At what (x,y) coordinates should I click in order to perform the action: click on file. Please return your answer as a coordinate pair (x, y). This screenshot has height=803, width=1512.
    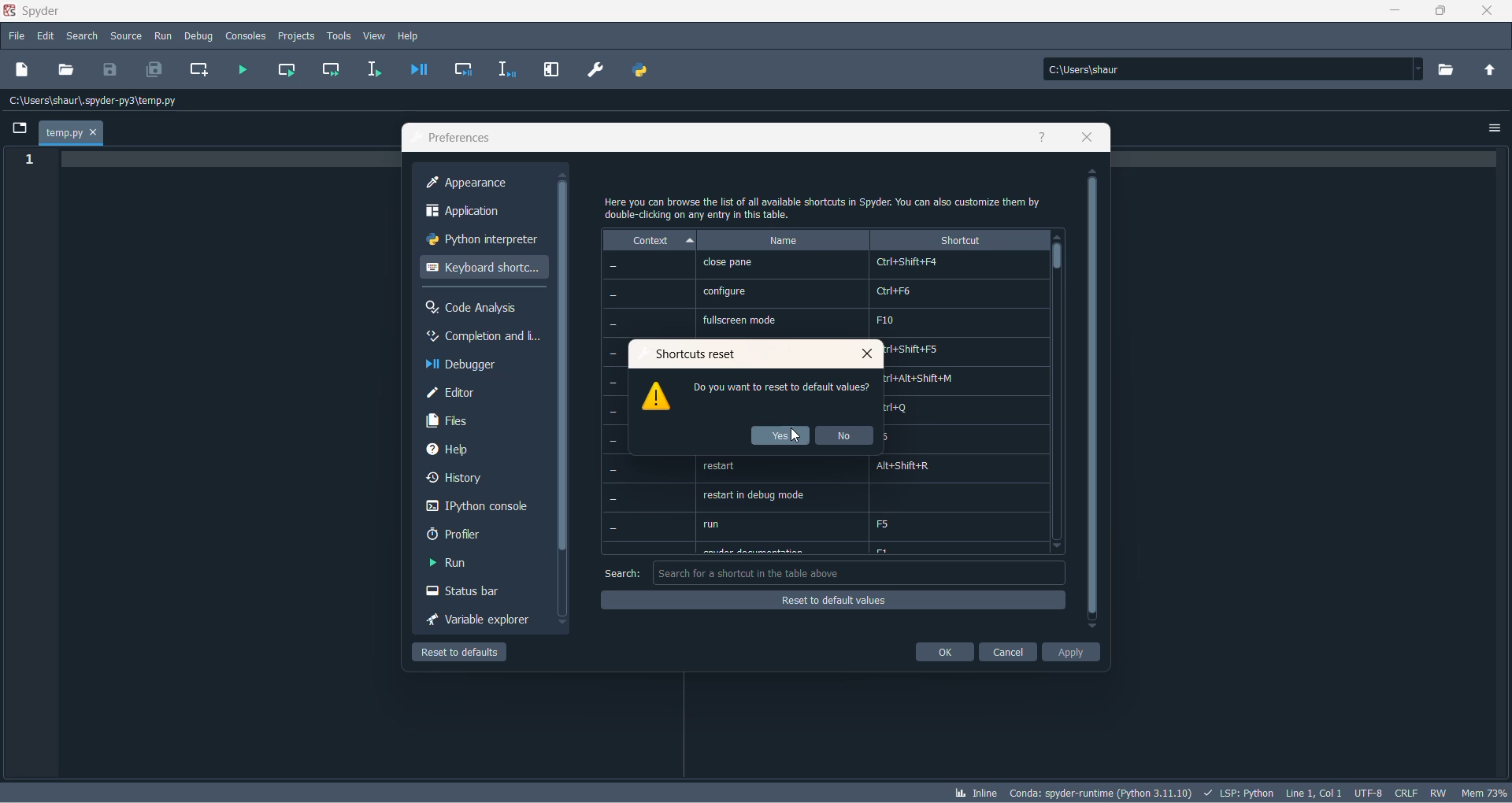
    Looking at the image, I should click on (18, 35).